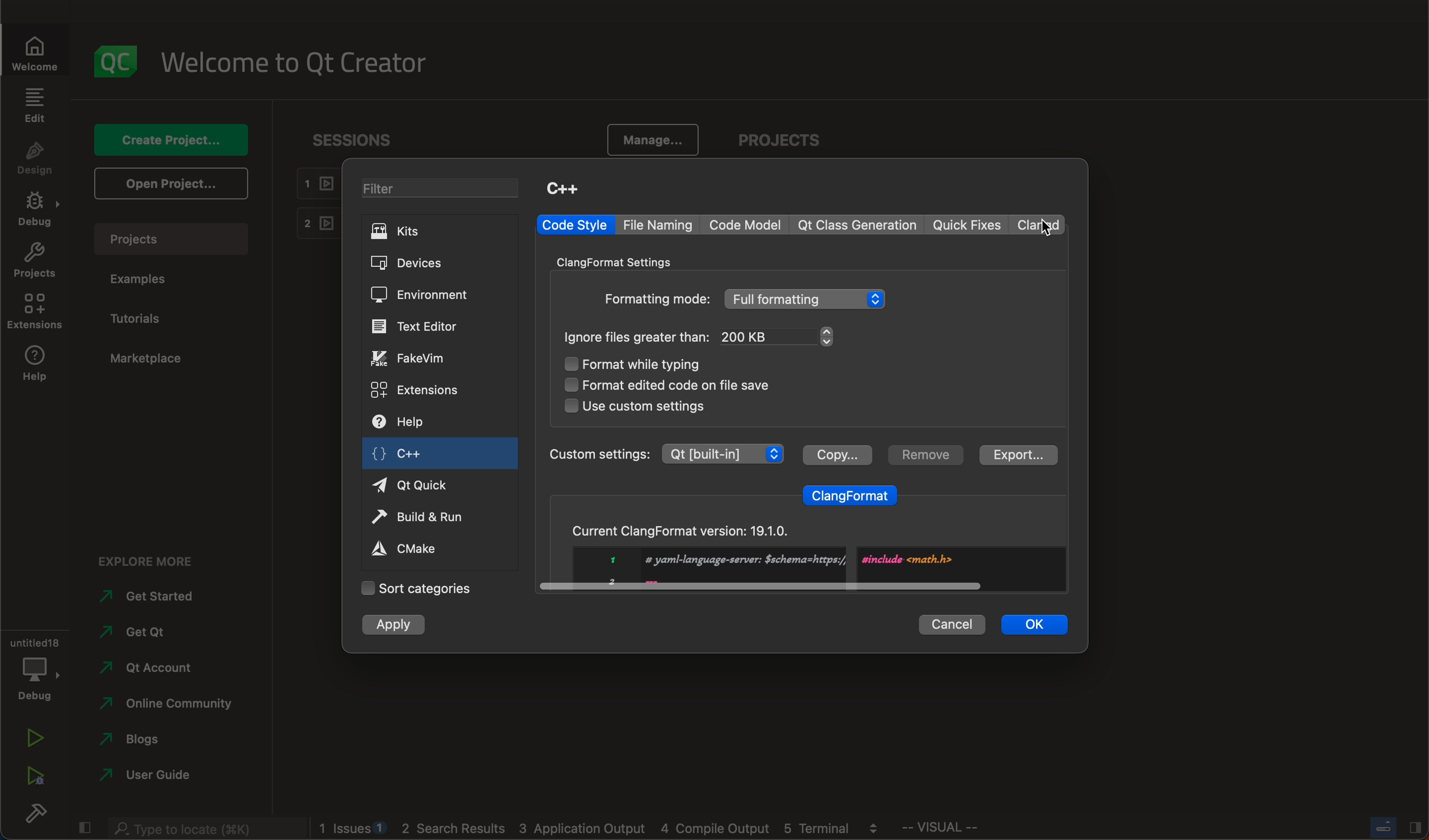  I want to click on cursor, so click(1039, 230).